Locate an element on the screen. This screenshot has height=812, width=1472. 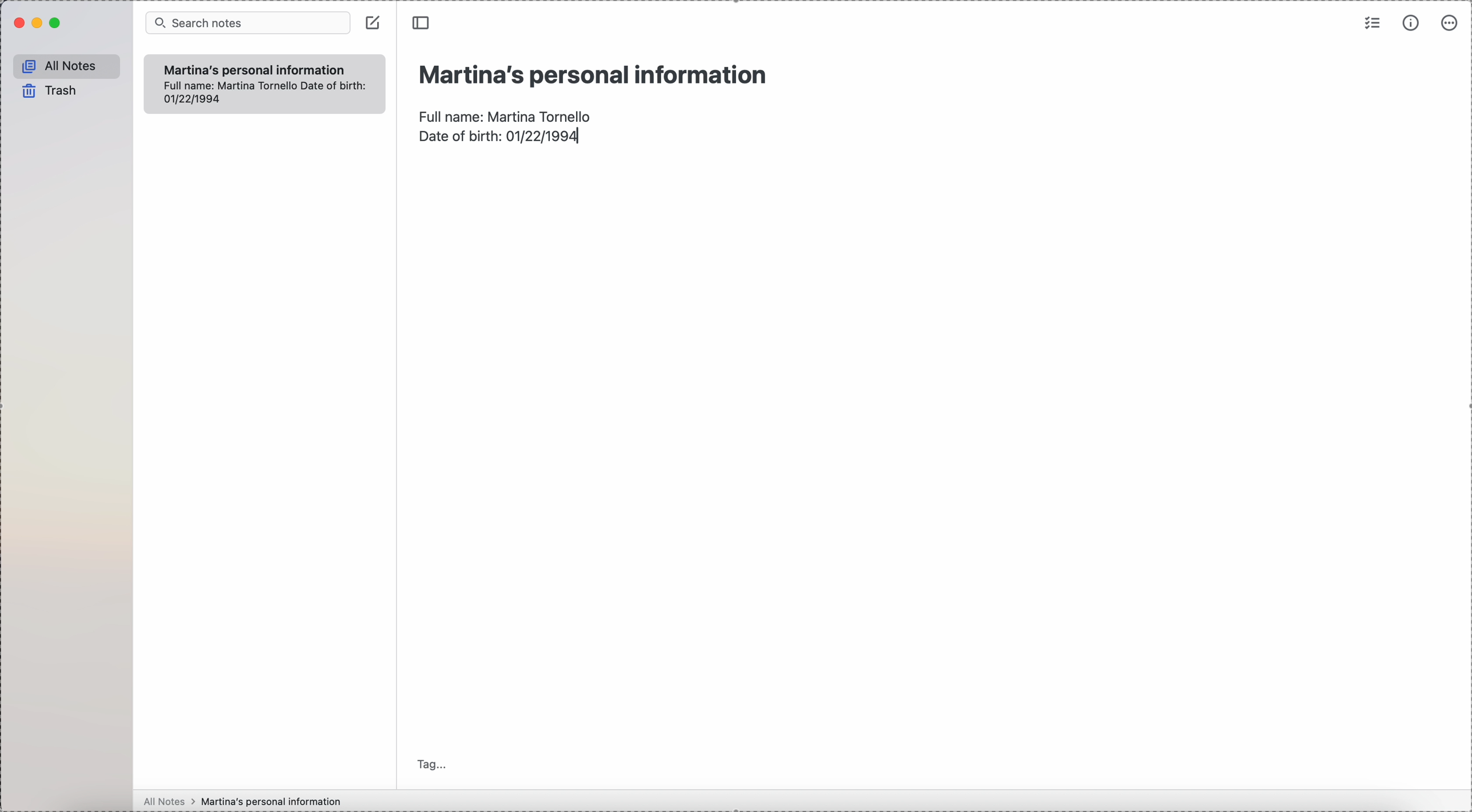
more options is located at coordinates (1448, 24).